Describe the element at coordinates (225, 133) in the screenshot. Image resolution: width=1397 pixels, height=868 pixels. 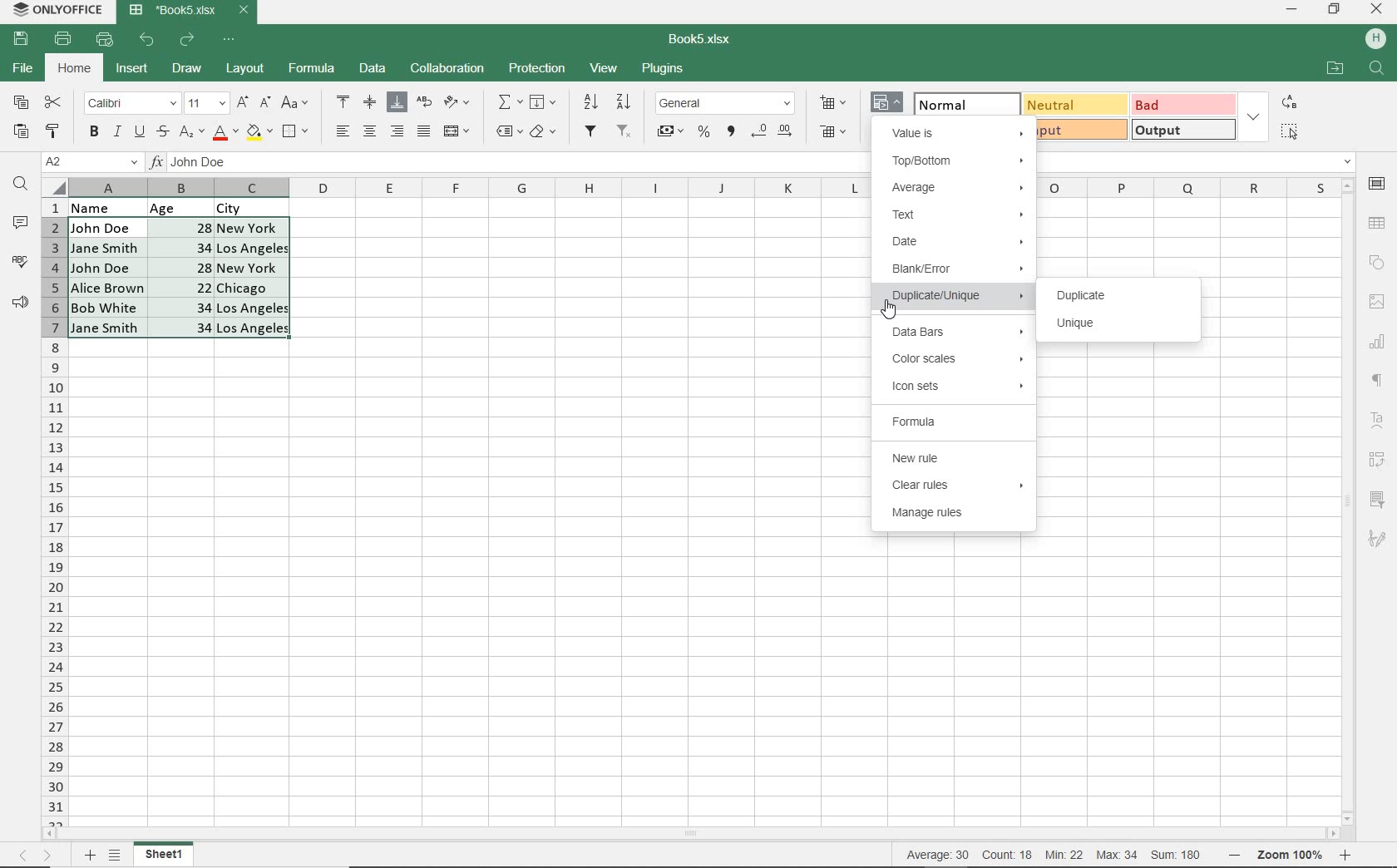
I see `FONT COLOR` at that location.